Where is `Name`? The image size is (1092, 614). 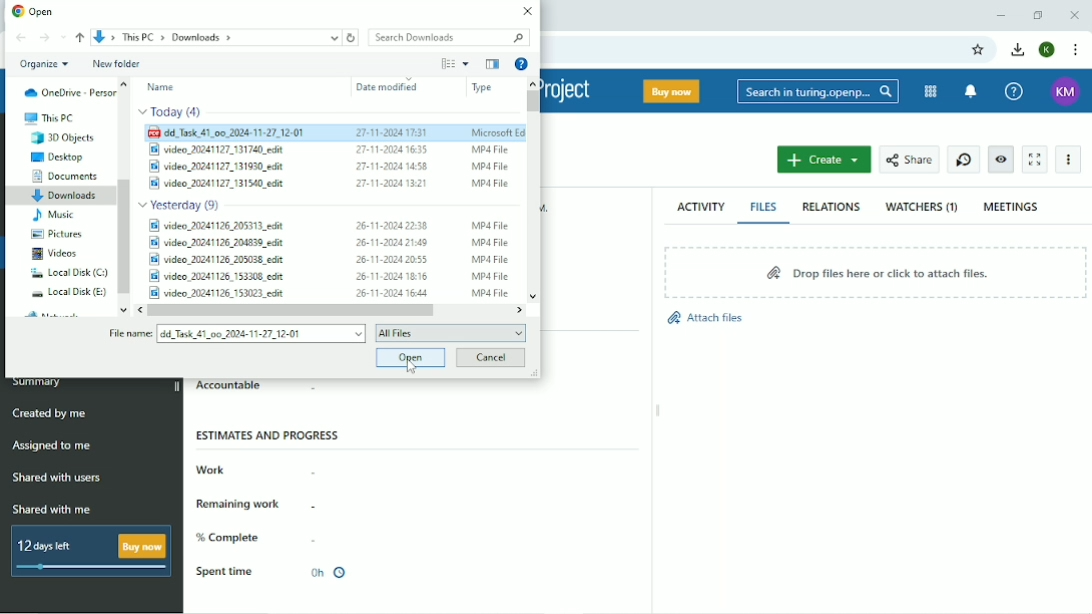
Name is located at coordinates (162, 87).